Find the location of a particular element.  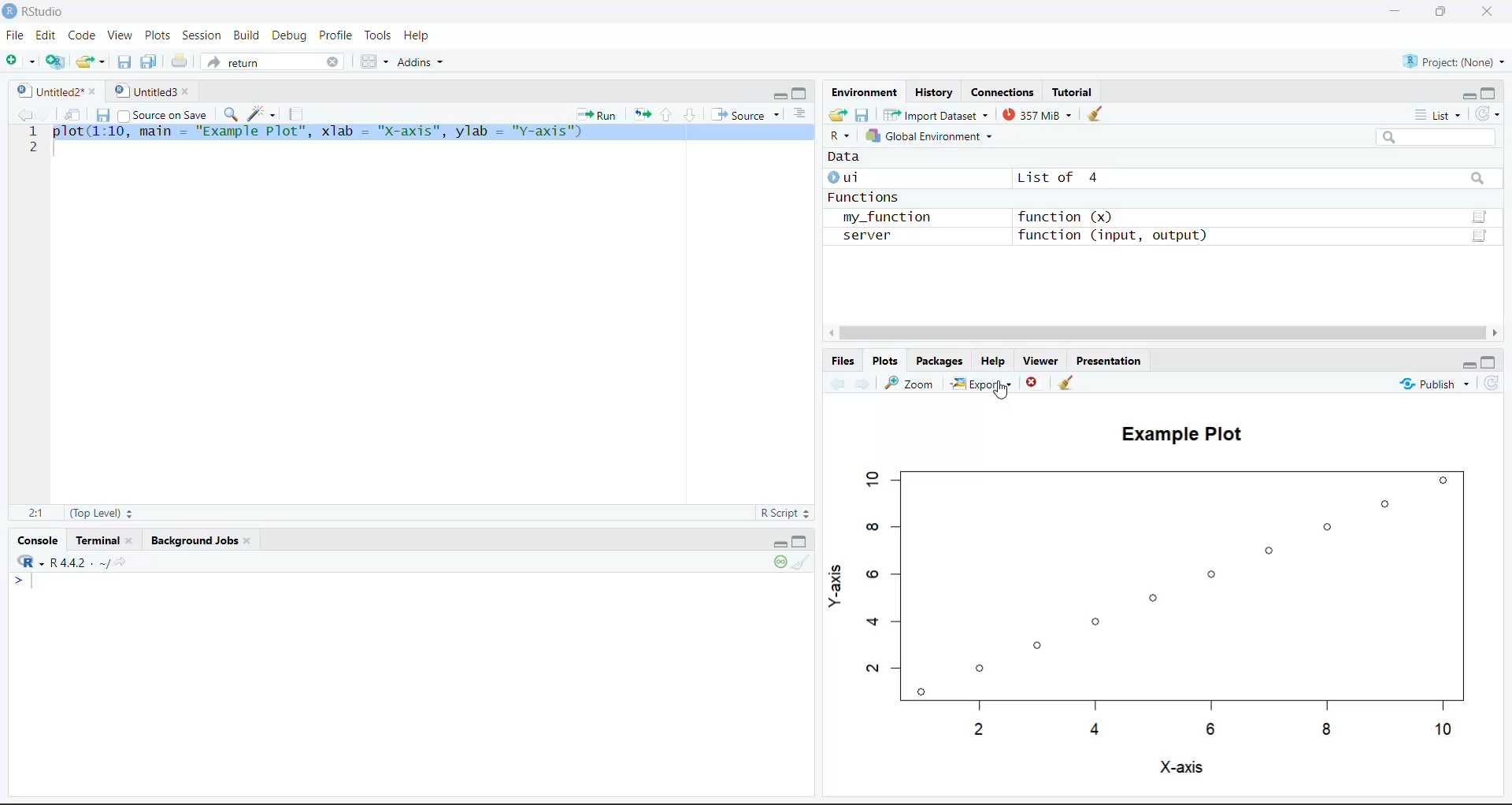

Zoom is located at coordinates (910, 382).